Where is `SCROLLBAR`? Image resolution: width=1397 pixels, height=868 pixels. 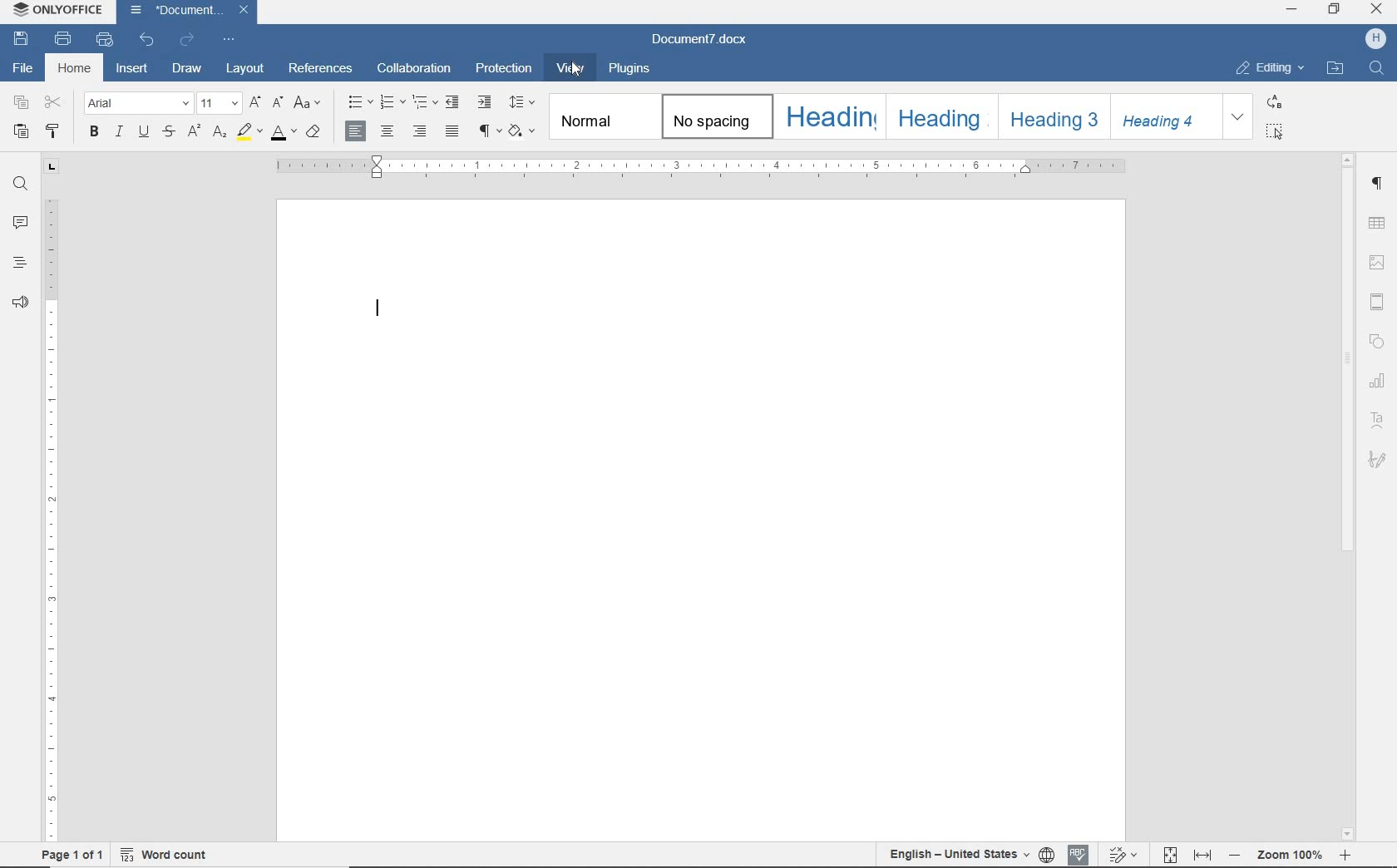
SCROLLBAR is located at coordinates (1348, 496).